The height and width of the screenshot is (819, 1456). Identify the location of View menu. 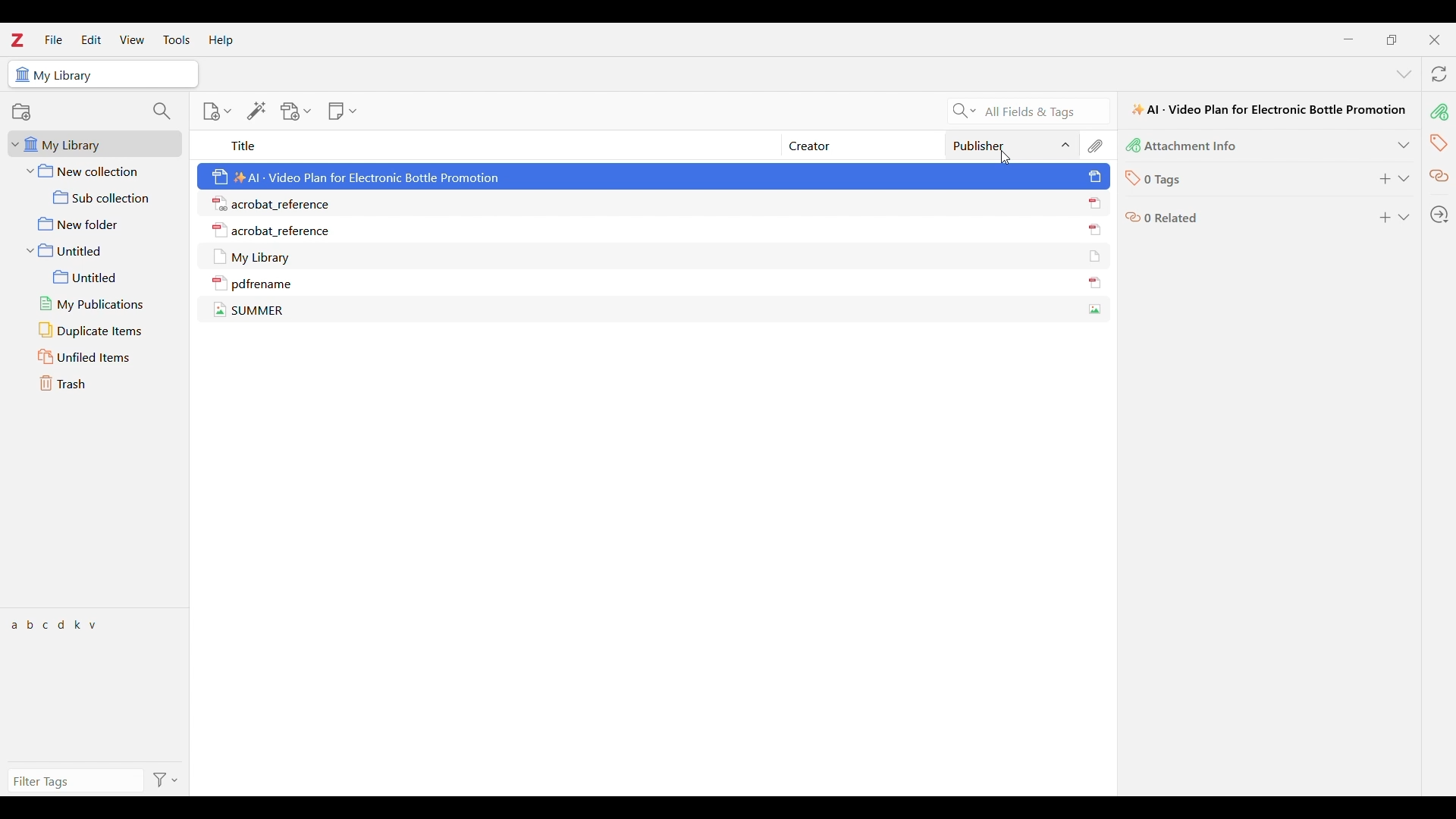
(132, 39).